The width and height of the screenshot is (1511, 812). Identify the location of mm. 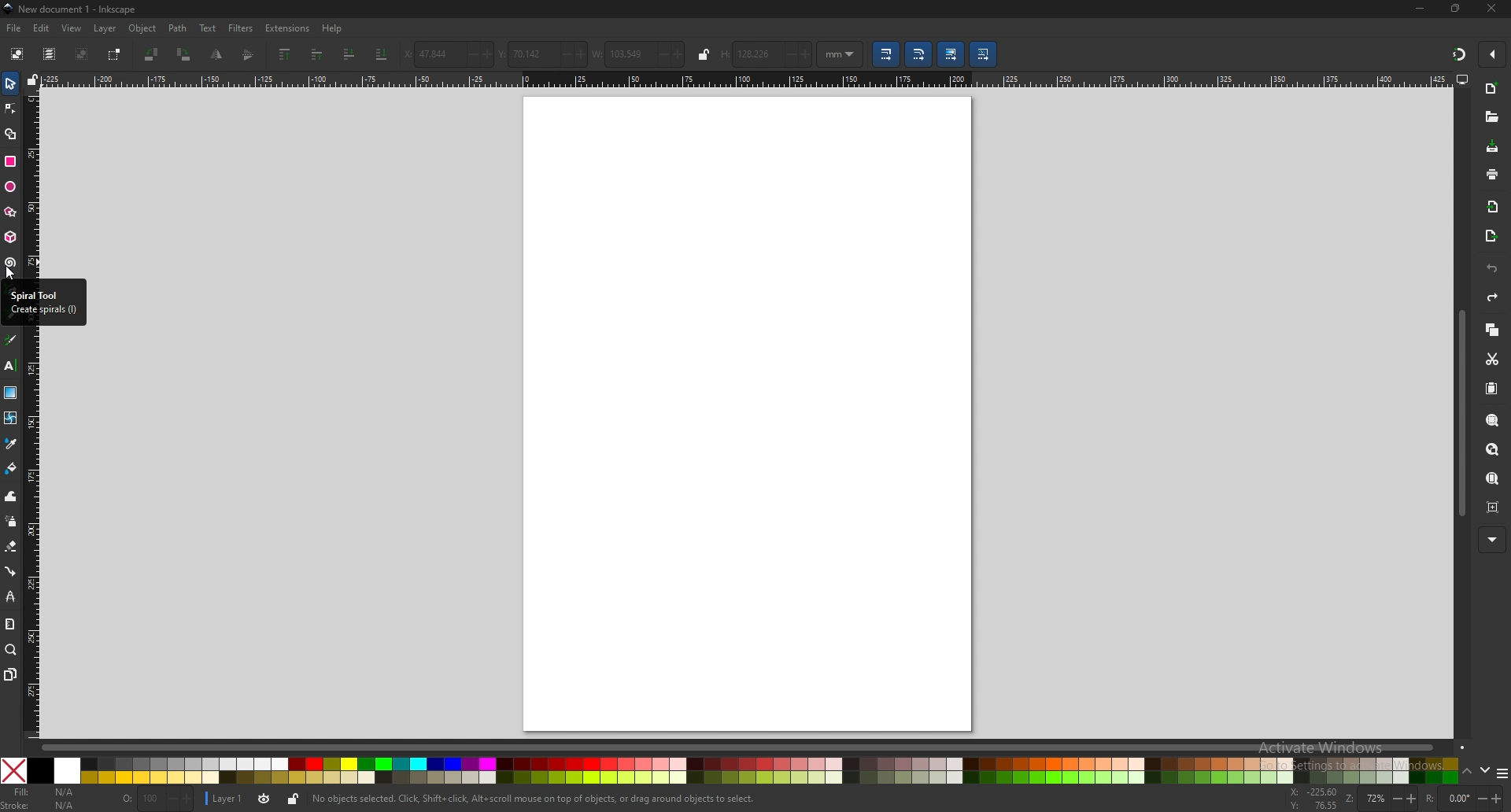
(841, 53).